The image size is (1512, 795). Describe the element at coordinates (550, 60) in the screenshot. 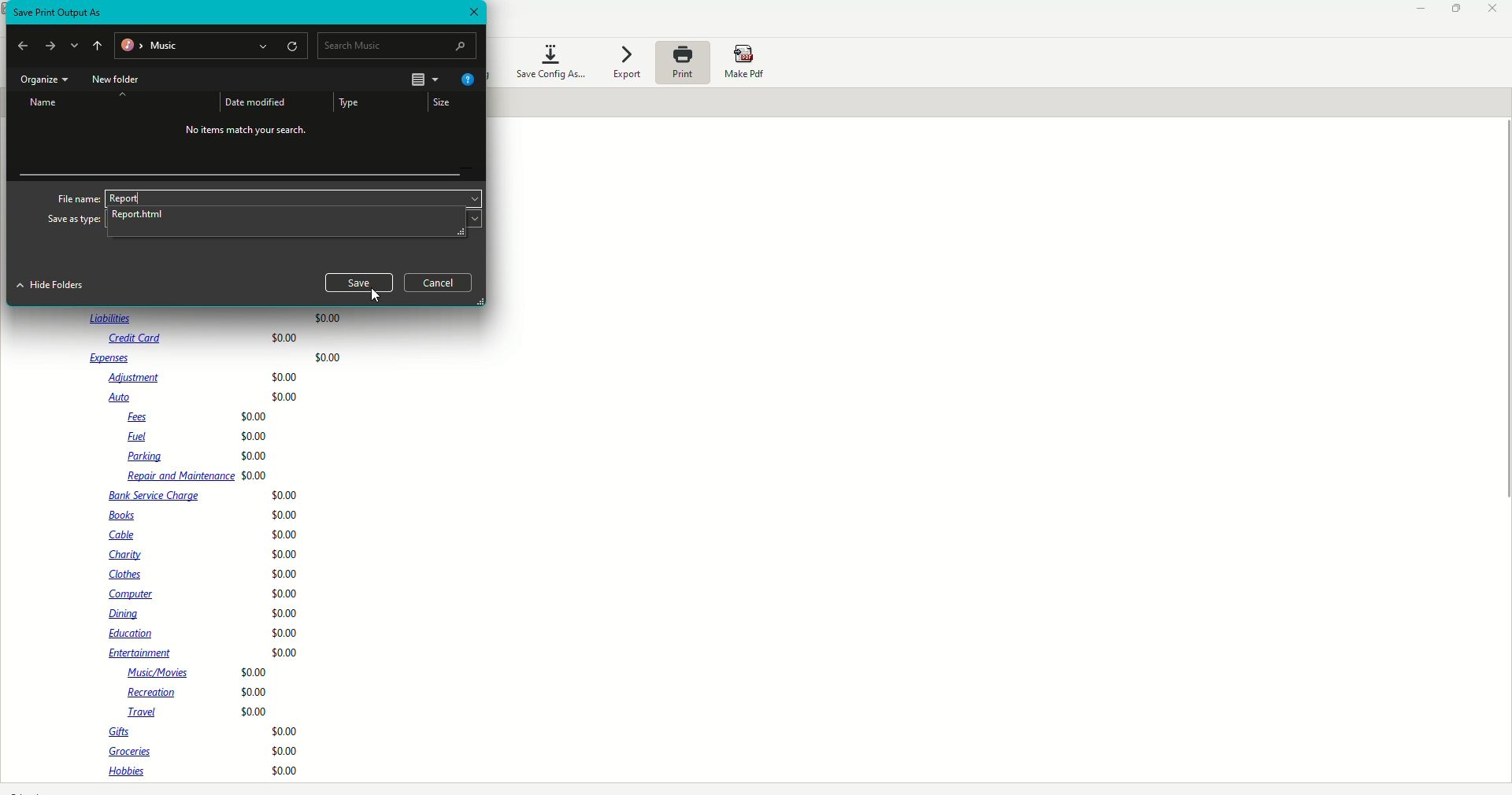

I see `Save Config as` at that location.